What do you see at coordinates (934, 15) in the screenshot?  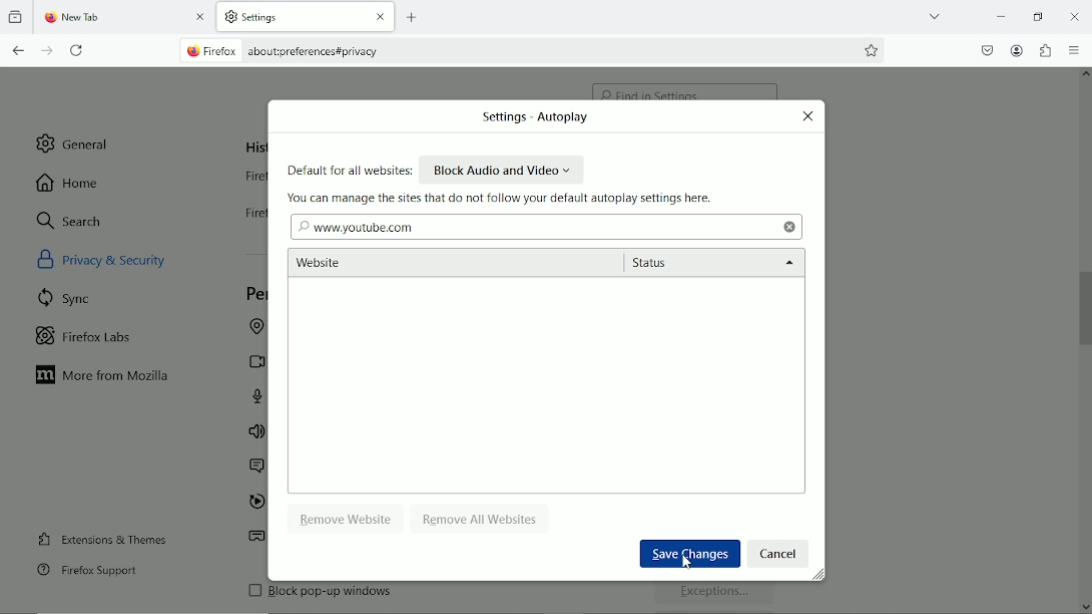 I see `List all tabs` at bounding box center [934, 15].